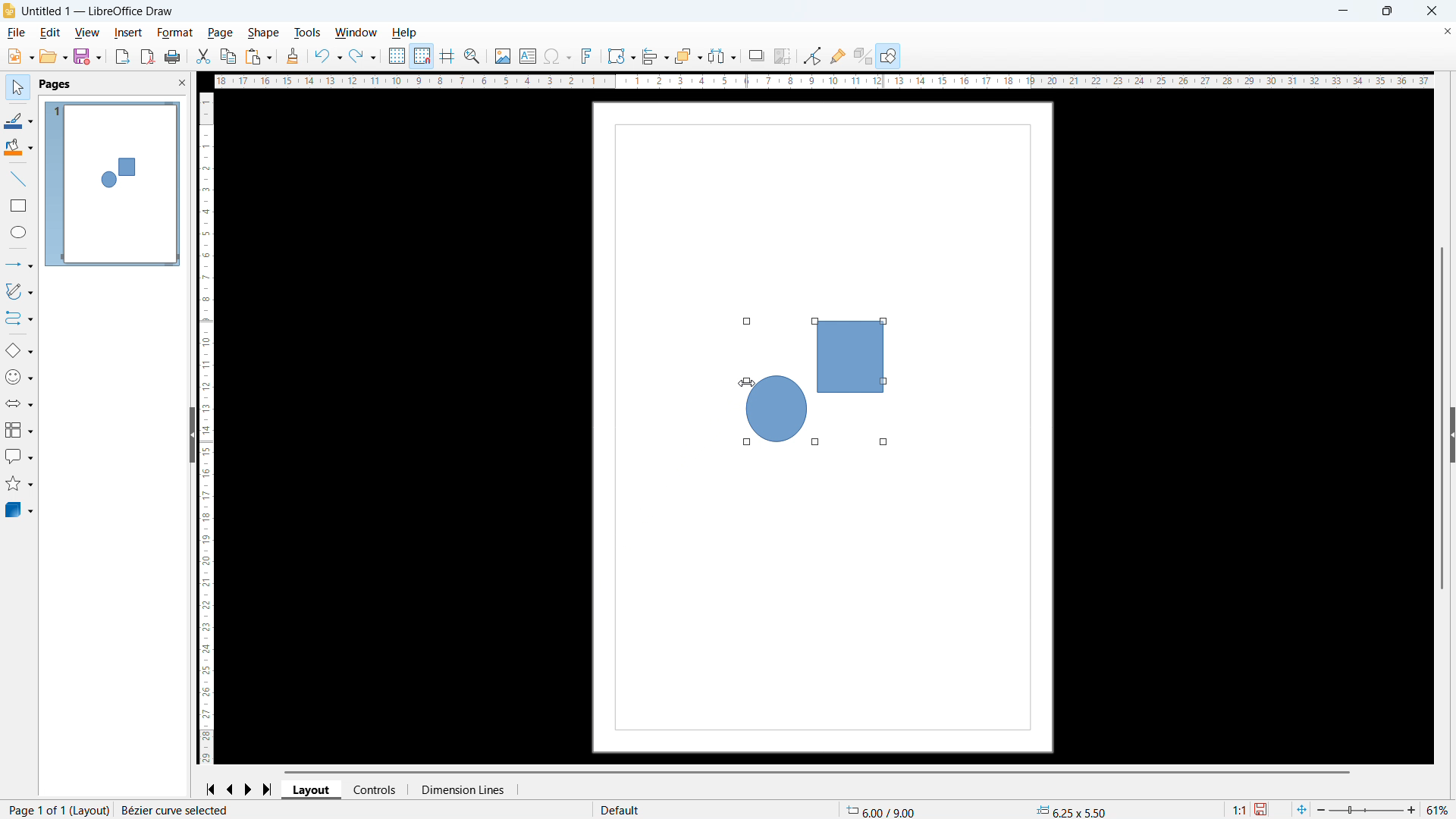 The height and width of the screenshot is (819, 1456). Describe the element at coordinates (397, 55) in the screenshot. I see `Show grid` at that location.